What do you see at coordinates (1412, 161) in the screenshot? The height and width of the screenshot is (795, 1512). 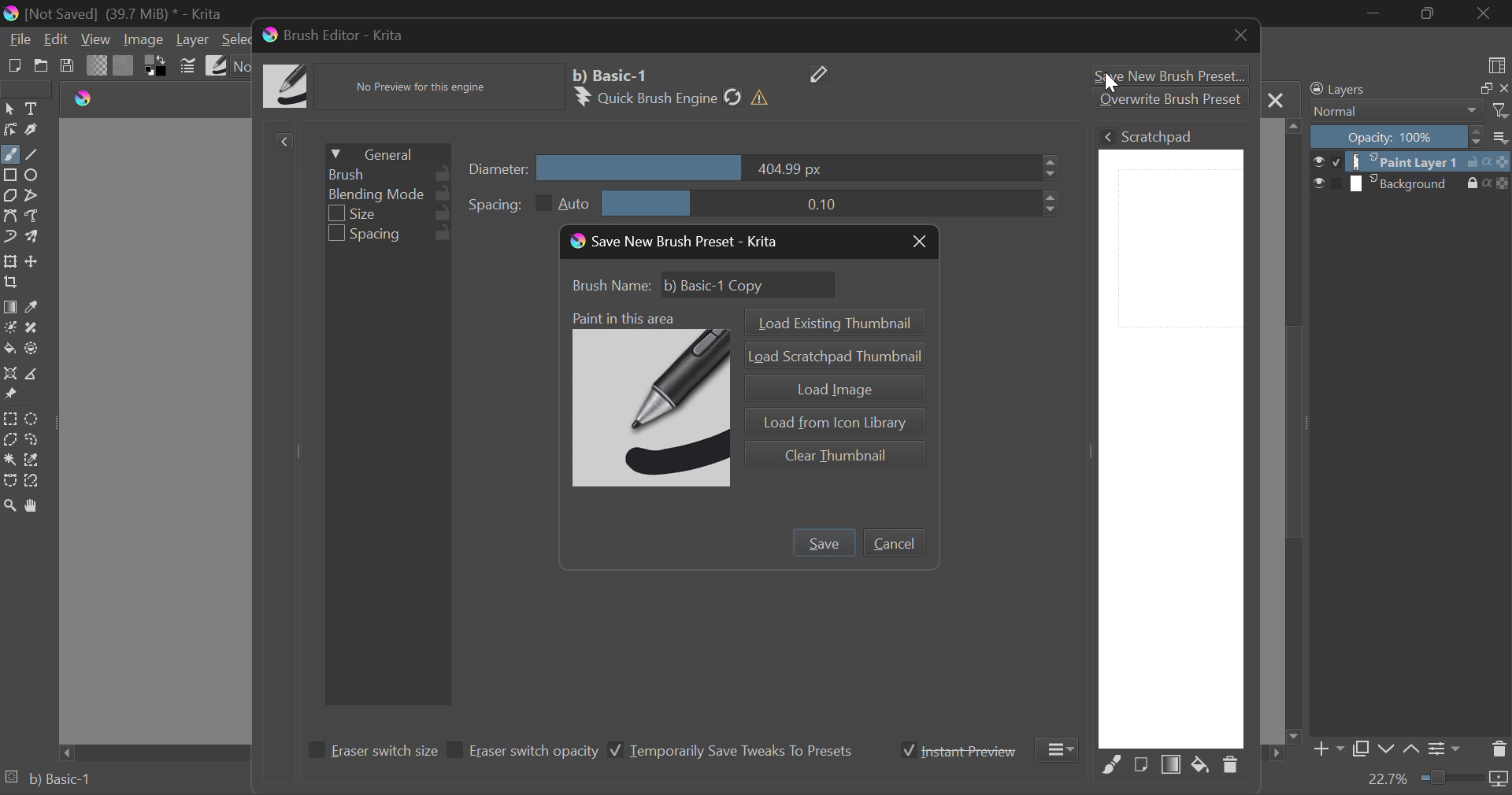 I see `Paint Layer` at bounding box center [1412, 161].